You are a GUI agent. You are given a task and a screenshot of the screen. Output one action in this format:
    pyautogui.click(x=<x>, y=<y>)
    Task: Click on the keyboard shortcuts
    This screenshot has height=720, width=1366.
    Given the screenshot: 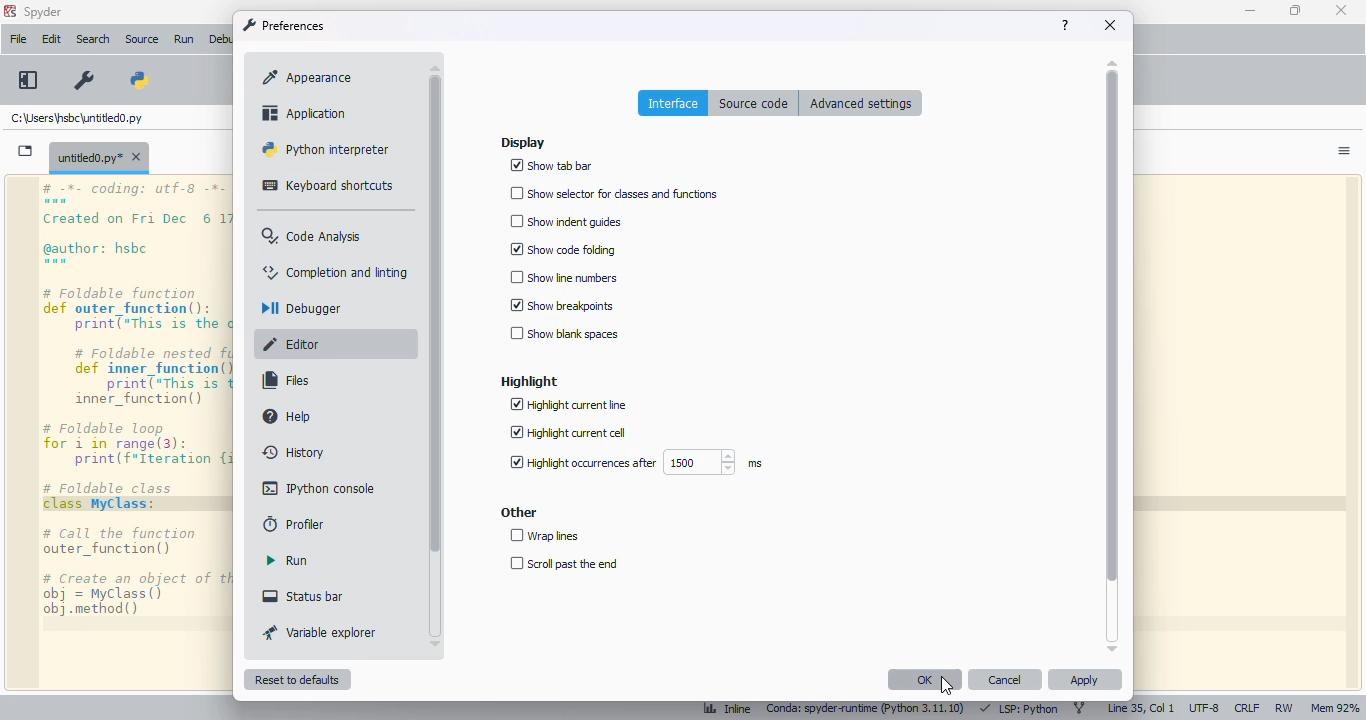 What is the action you would take?
    pyautogui.click(x=330, y=185)
    